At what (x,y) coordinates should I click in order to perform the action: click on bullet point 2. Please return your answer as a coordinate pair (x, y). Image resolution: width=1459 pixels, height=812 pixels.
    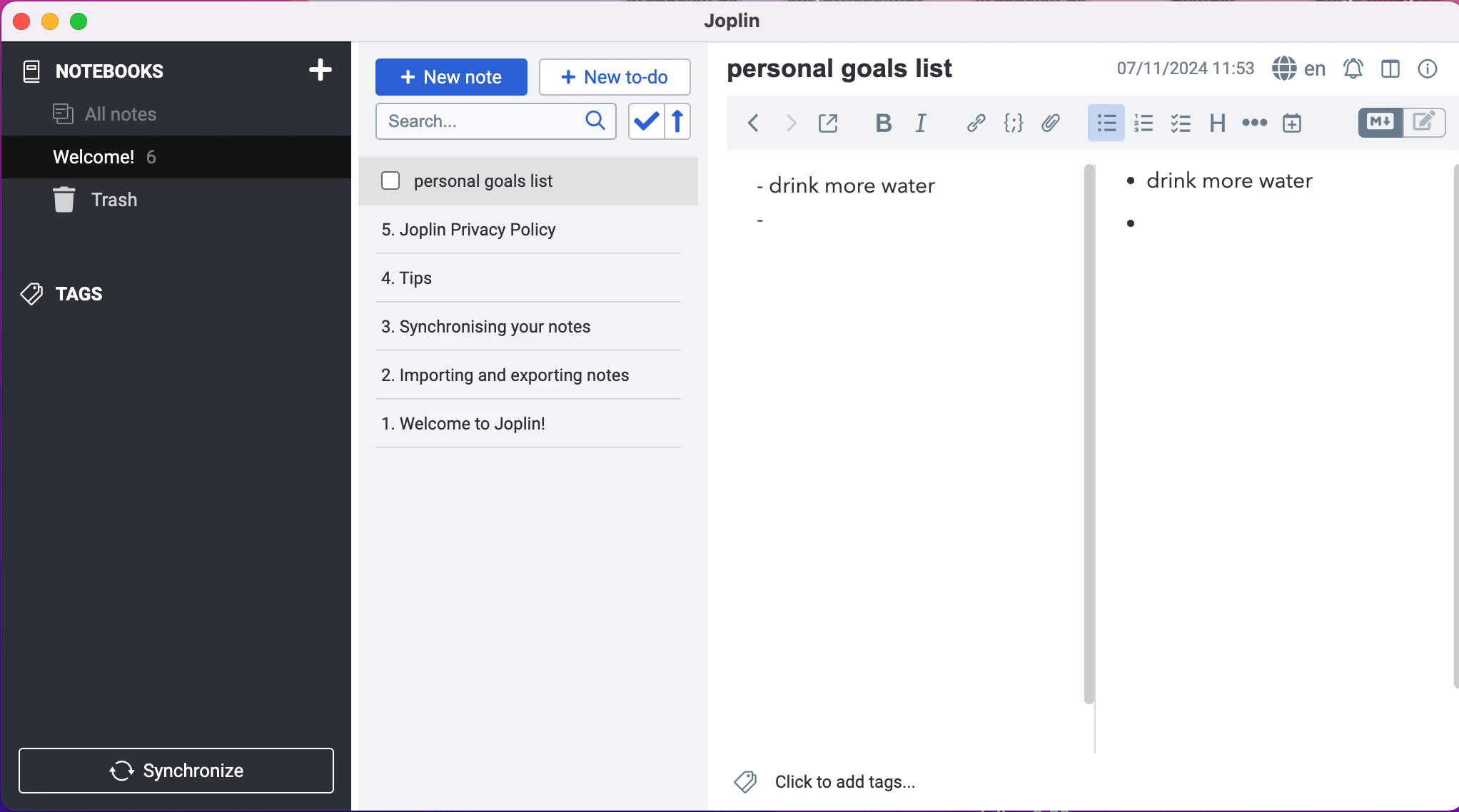
    Looking at the image, I should click on (1130, 223).